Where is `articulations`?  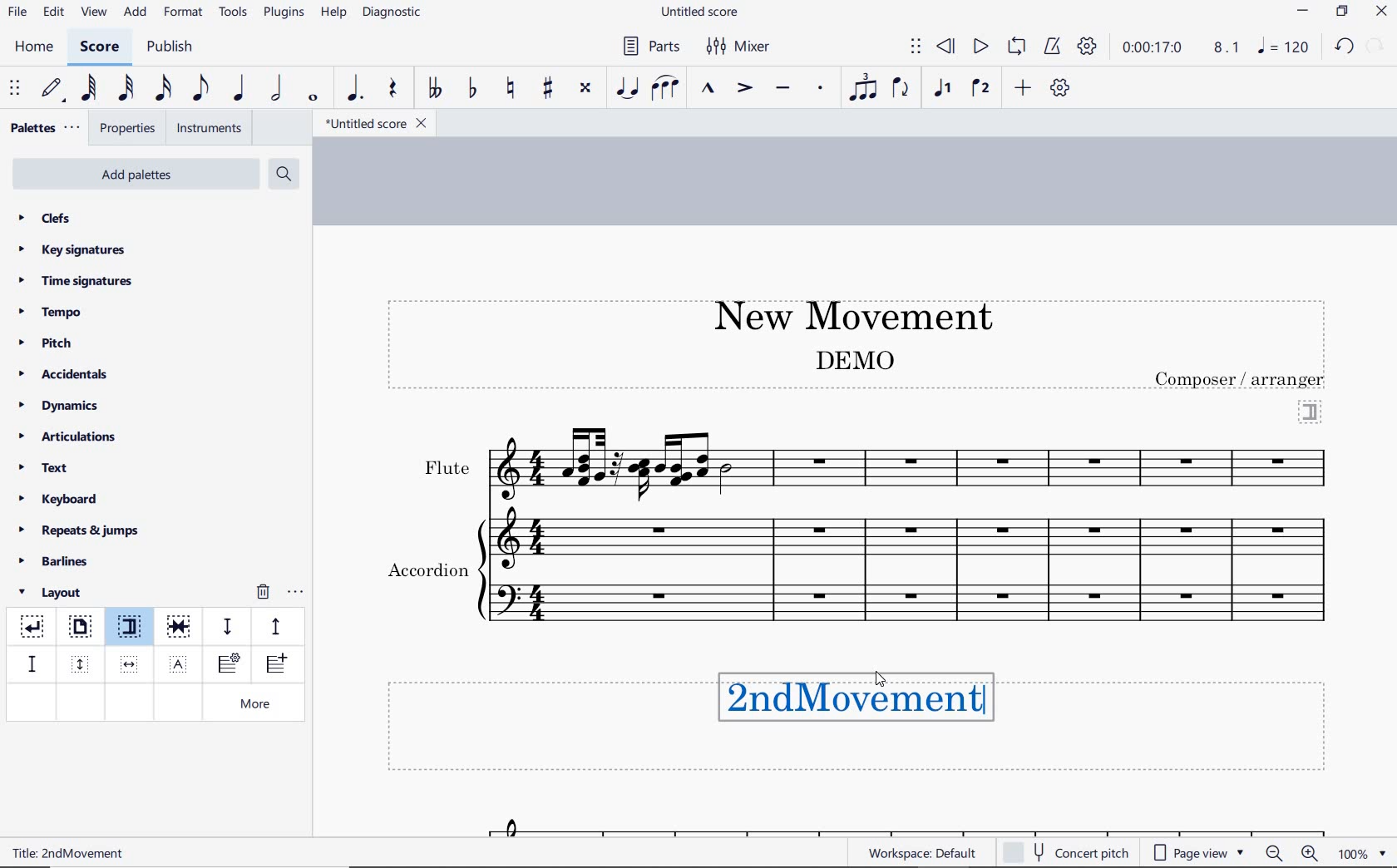 articulations is located at coordinates (69, 439).